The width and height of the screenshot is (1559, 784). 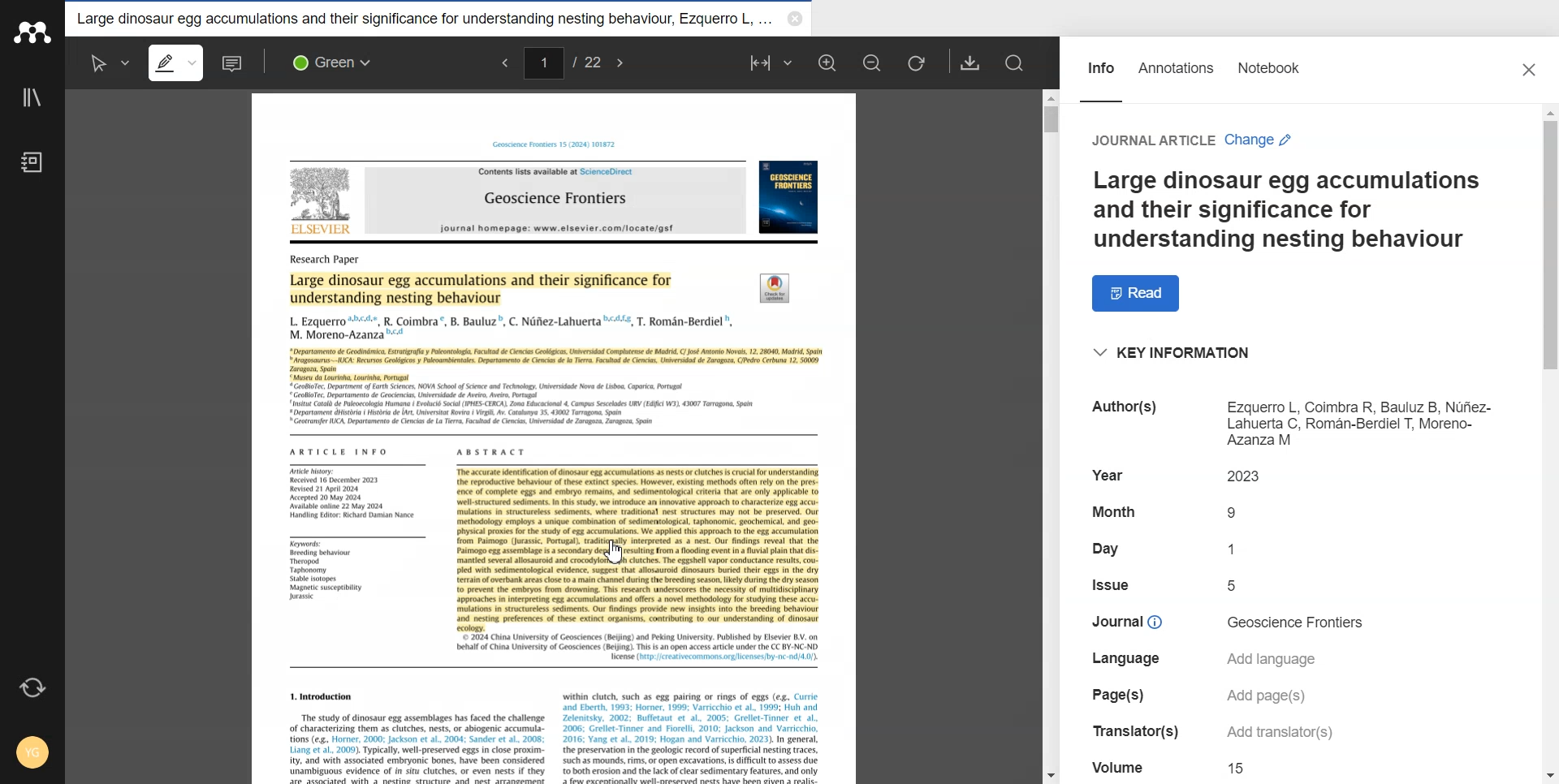 What do you see at coordinates (234, 63) in the screenshot?
I see `Sticky note` at bounding box center [234, 63].